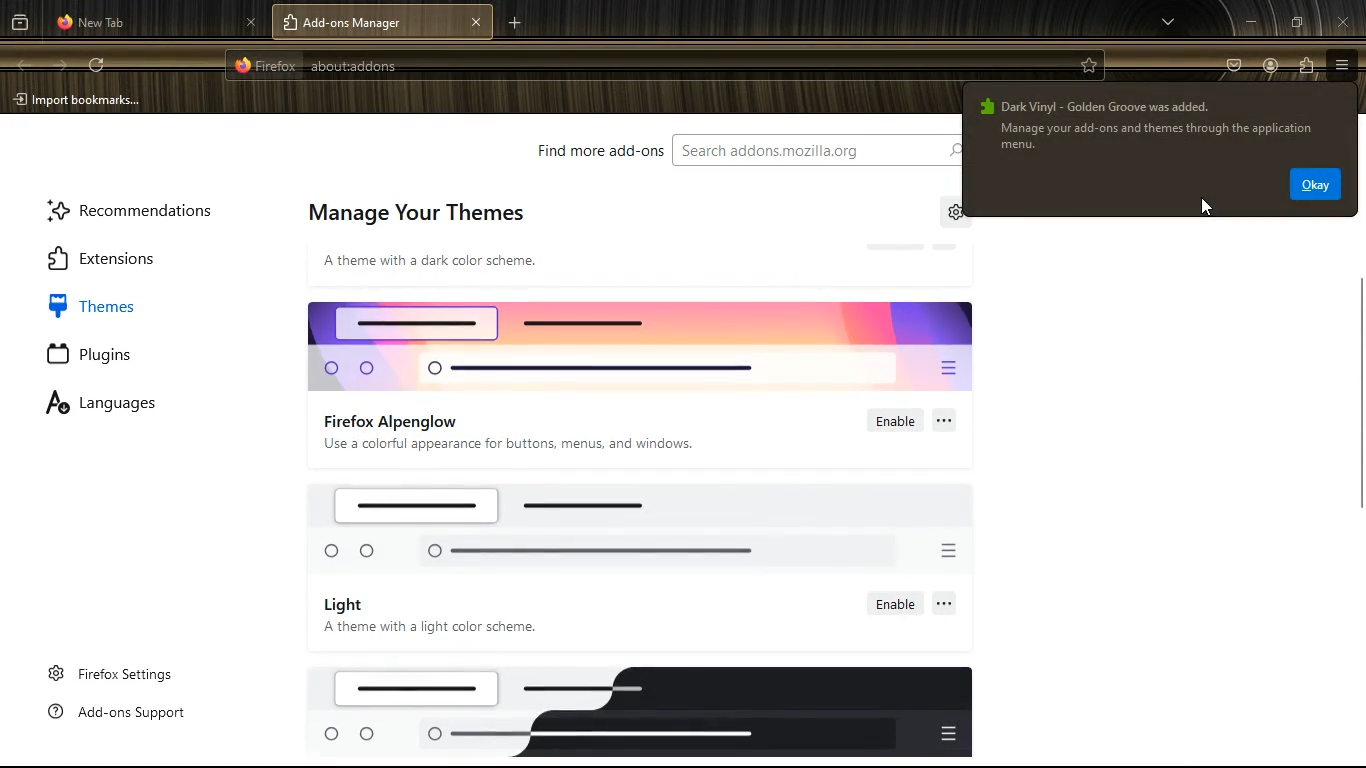  Describe the element at coordinates (638, 714) in the screenshot. I see `Theme` at that location.